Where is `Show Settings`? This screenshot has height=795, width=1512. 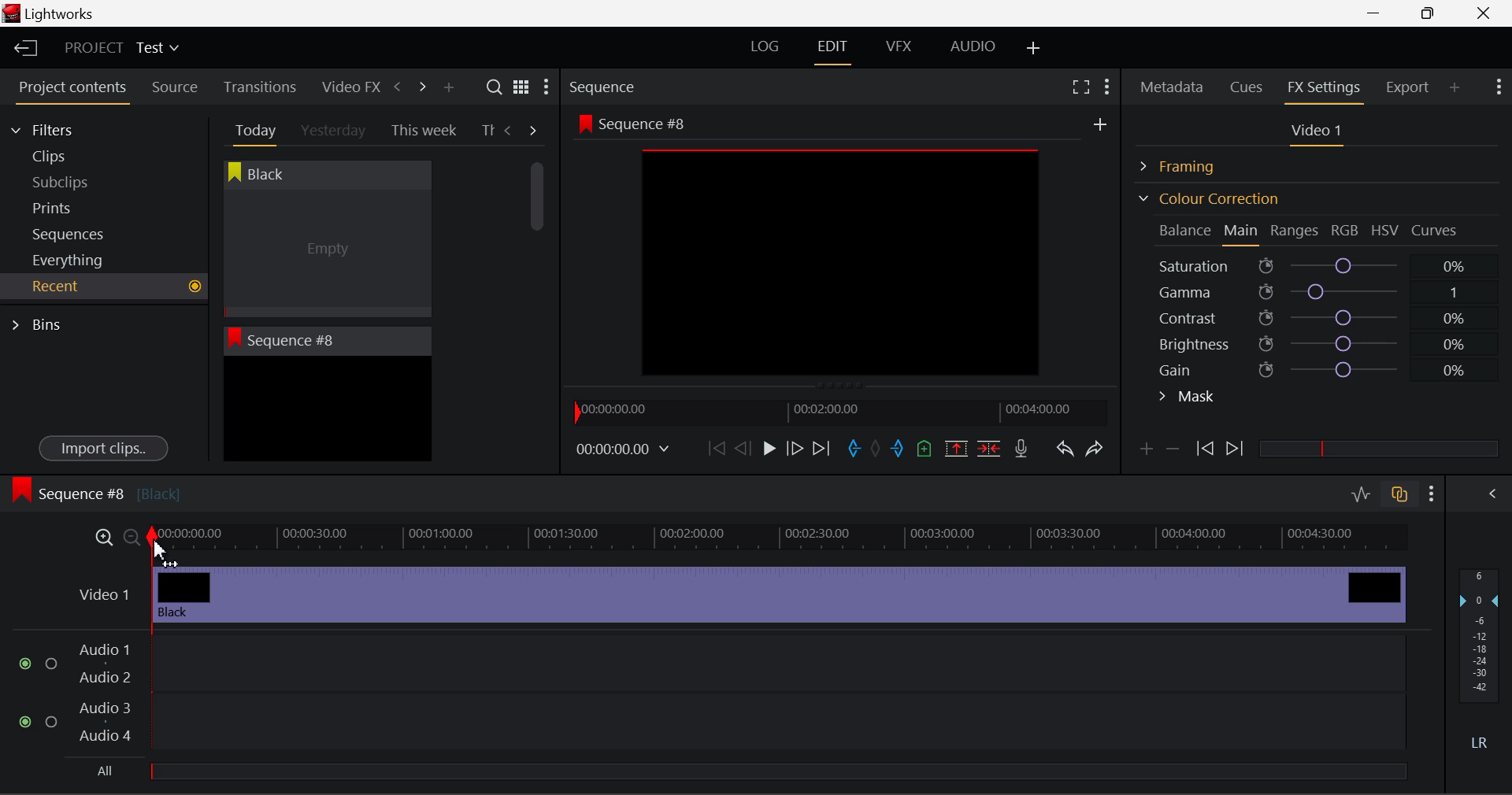 Show Settings is located at coordinates (1497, 85).